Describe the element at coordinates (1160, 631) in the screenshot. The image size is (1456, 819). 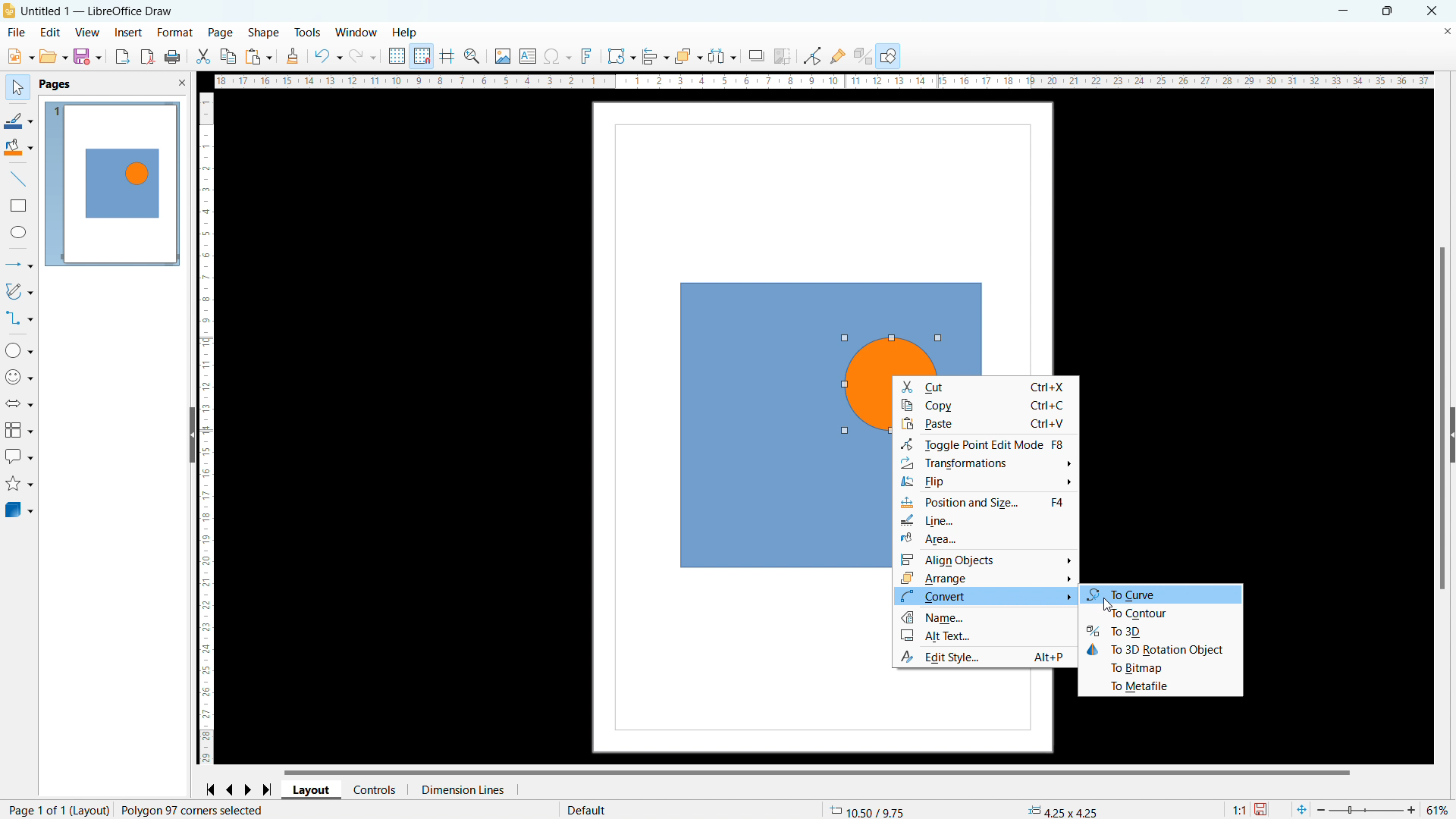
I see `to 3D` at that location.